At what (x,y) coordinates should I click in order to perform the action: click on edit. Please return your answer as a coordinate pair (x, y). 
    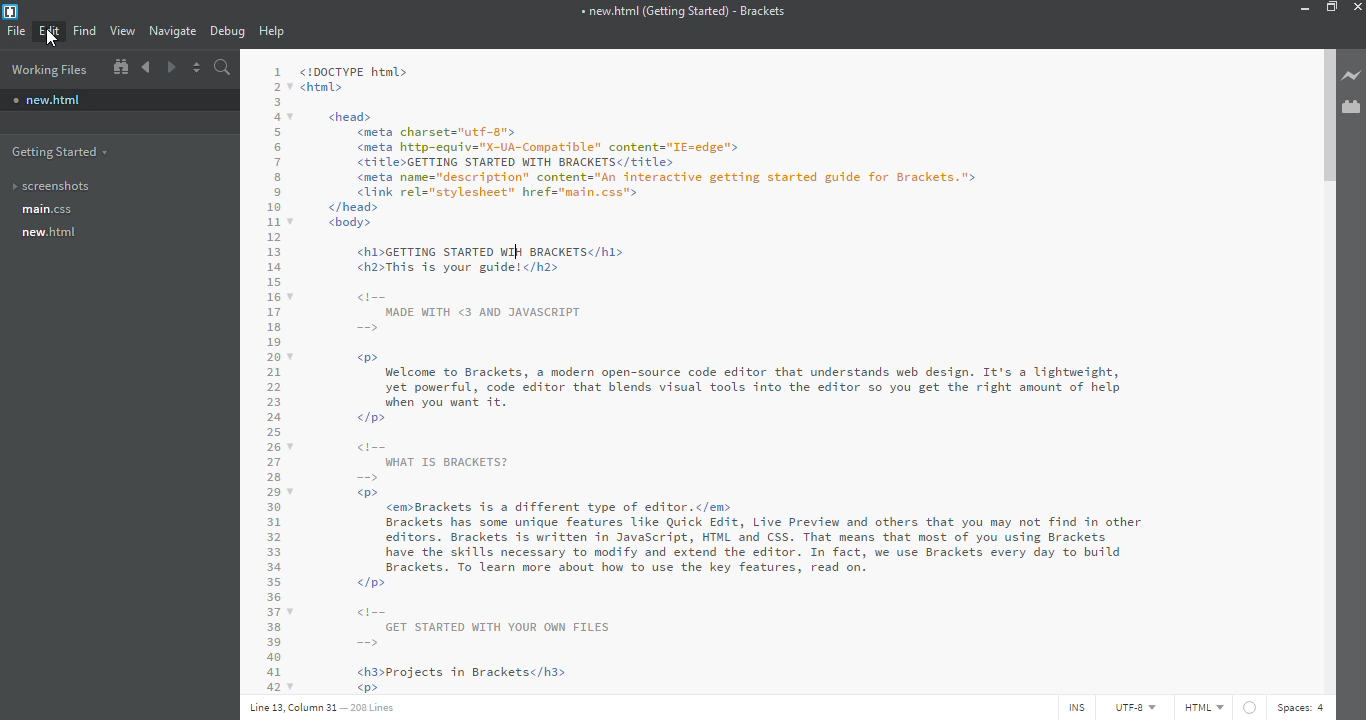
    Looking at the image, I should click on (51, 31).